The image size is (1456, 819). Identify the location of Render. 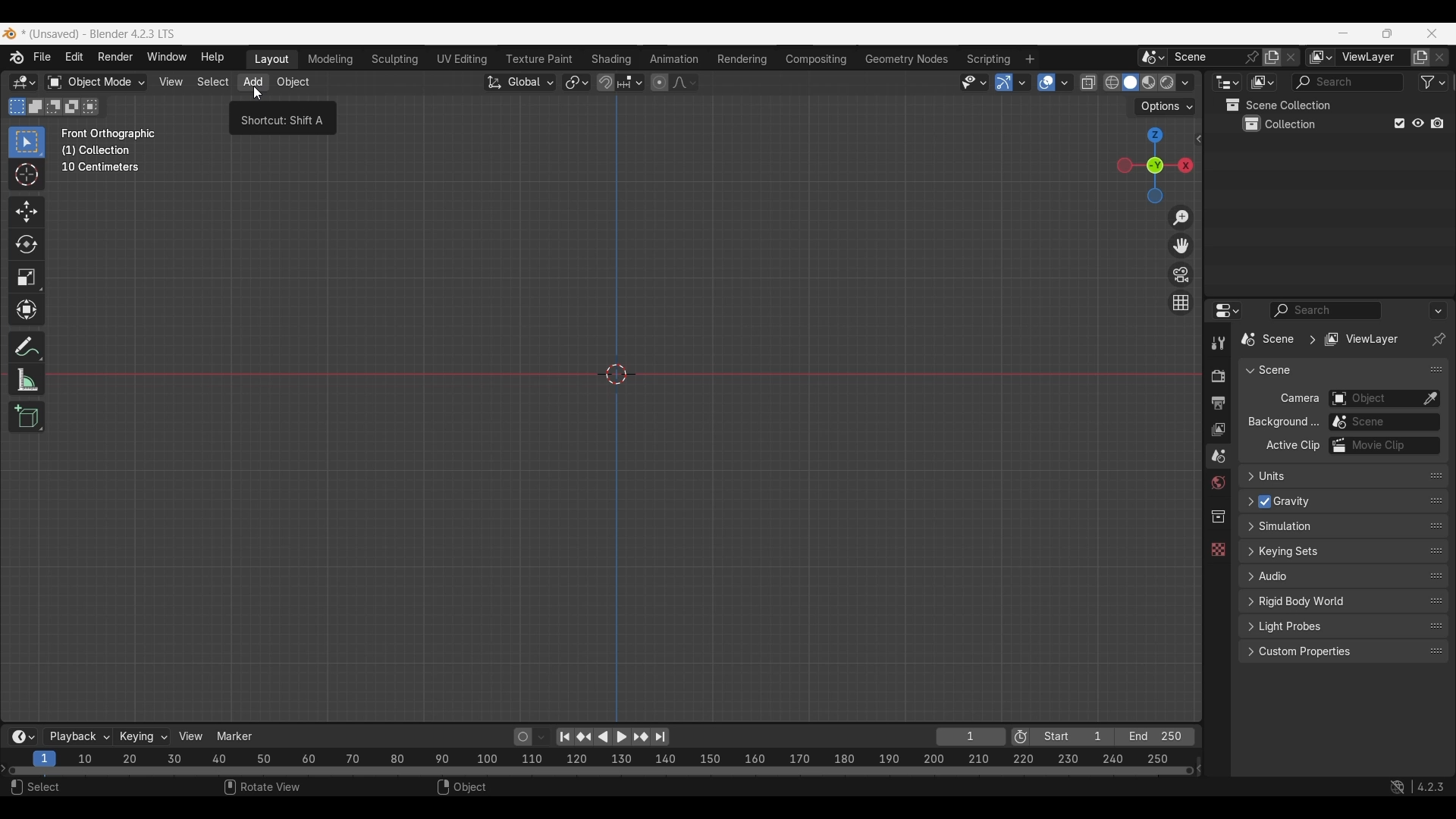
(1217, 375).